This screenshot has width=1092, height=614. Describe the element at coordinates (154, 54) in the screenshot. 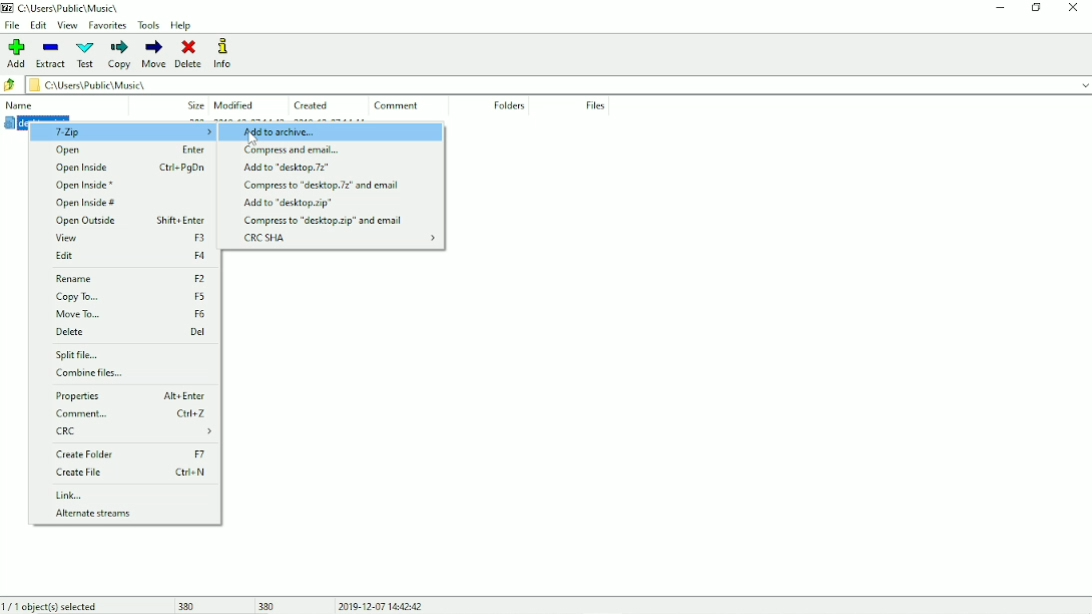

I see `Move` at that location.